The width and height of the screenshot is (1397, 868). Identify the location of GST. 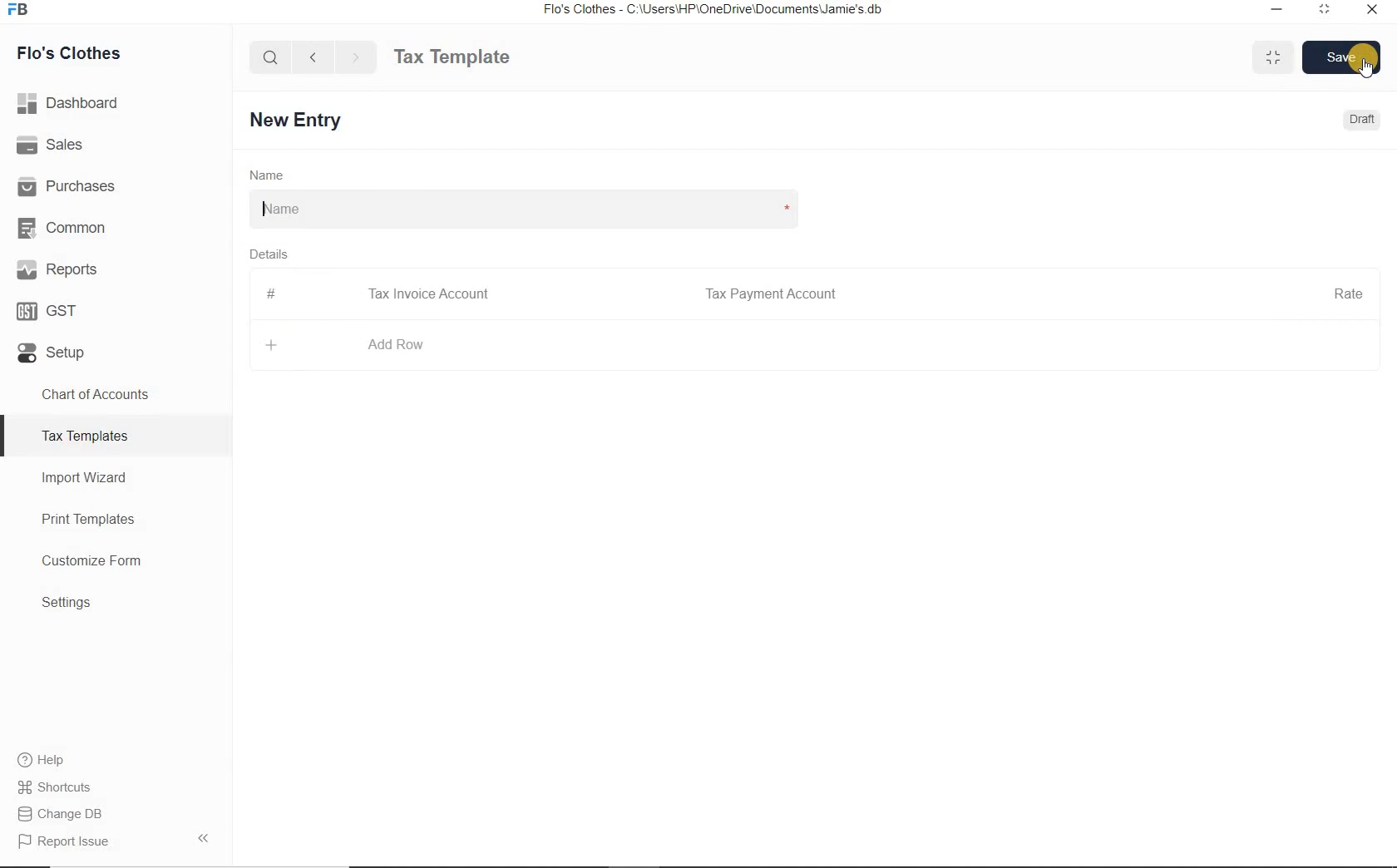
(116, 308).